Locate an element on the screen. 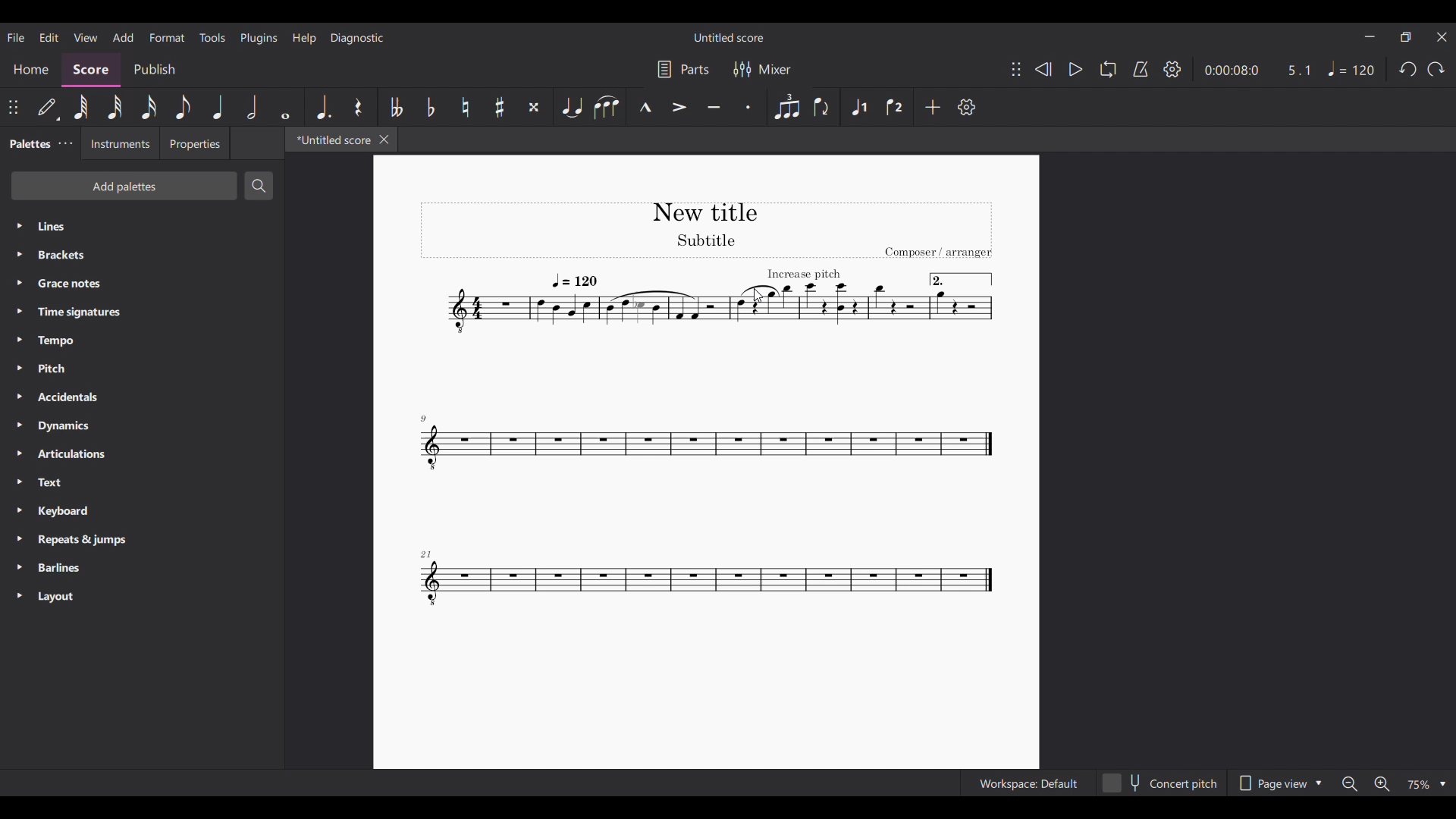 The width and height of the screenshot is (1456, 819). Voice 2 is located at coordinates (894, 107).